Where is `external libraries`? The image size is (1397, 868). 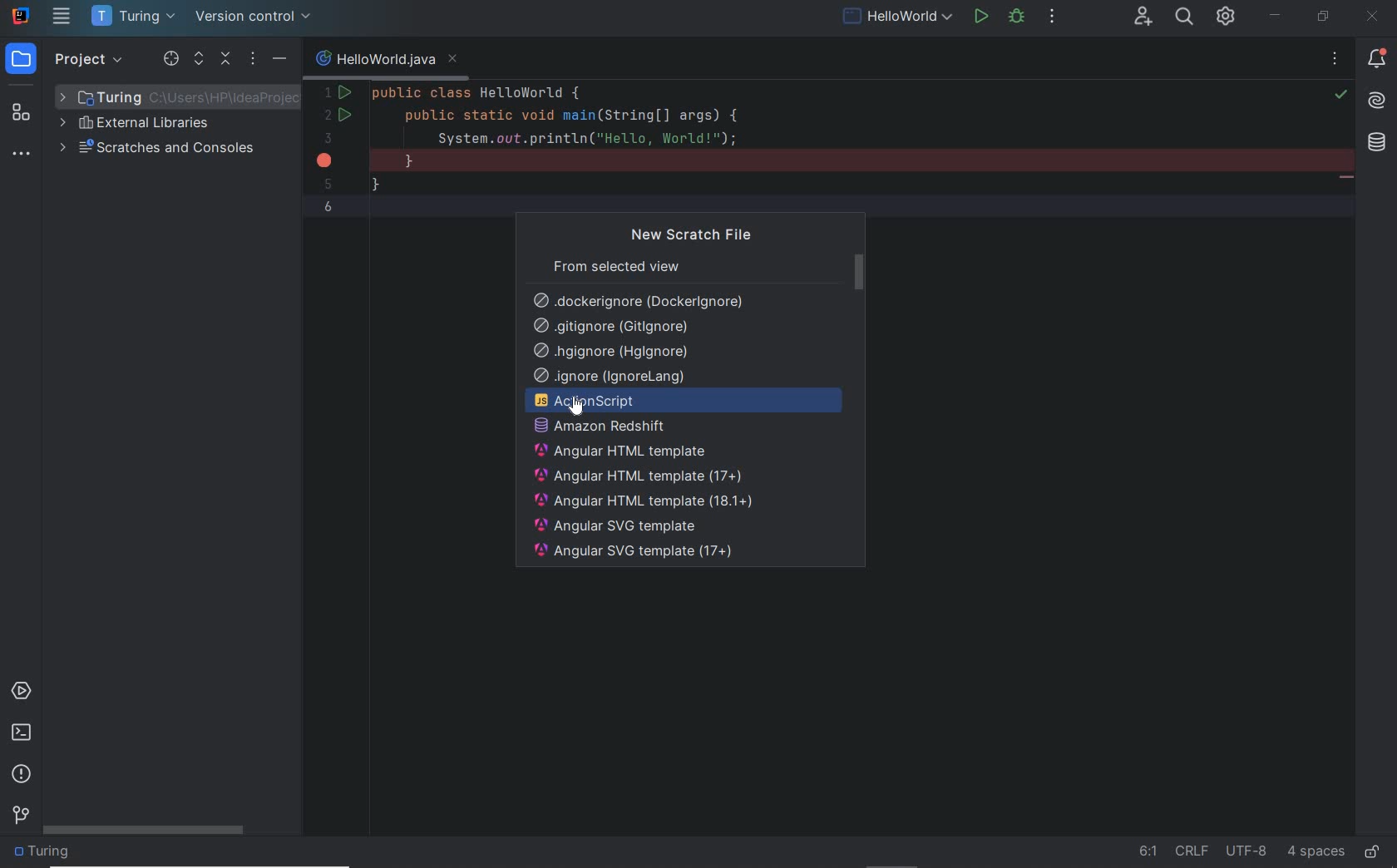 external libraries is located at coordinates (140, 123).